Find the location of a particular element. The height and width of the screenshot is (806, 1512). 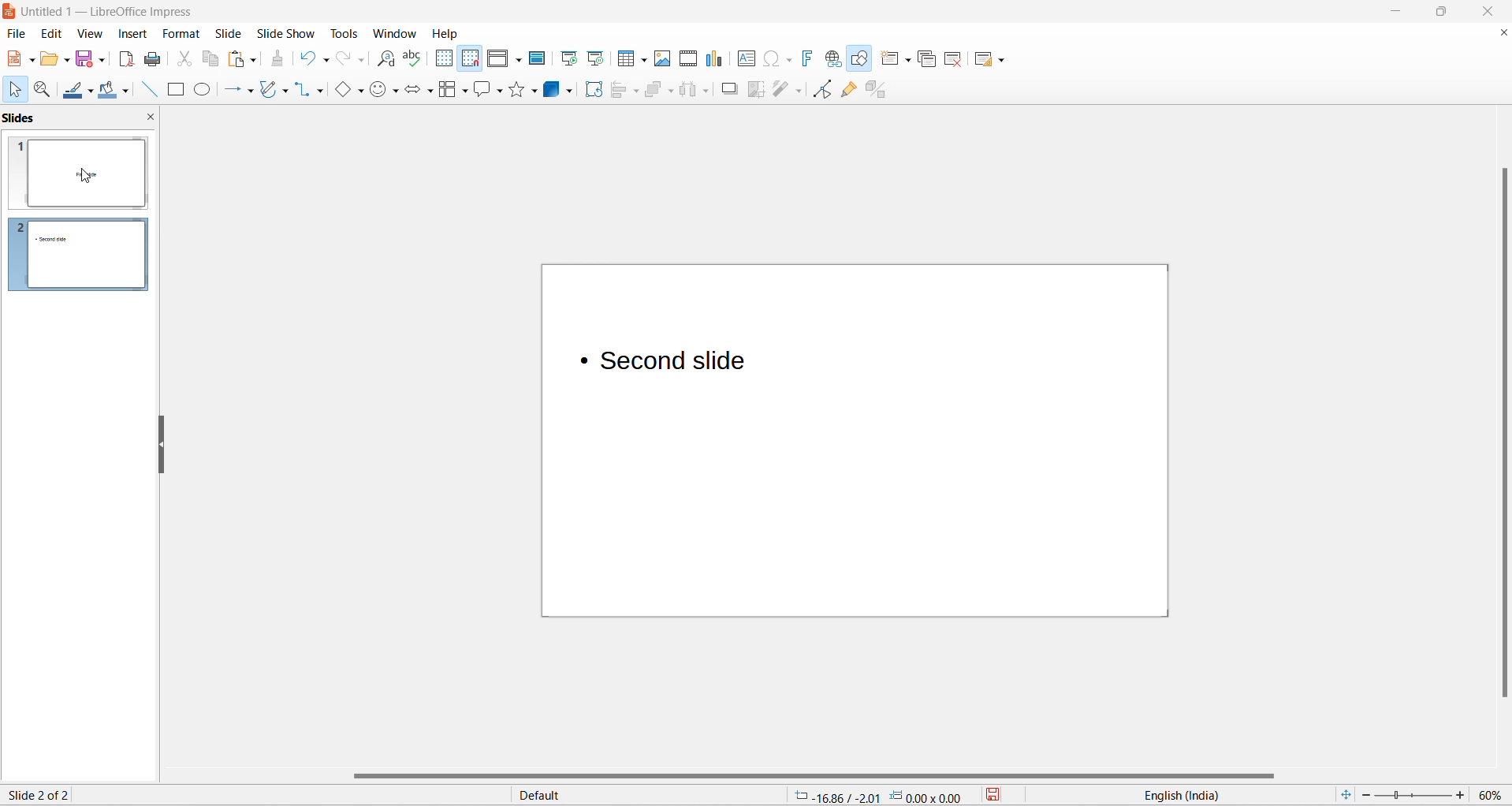

toggle point edit mode is located at coordinates (779, 88).